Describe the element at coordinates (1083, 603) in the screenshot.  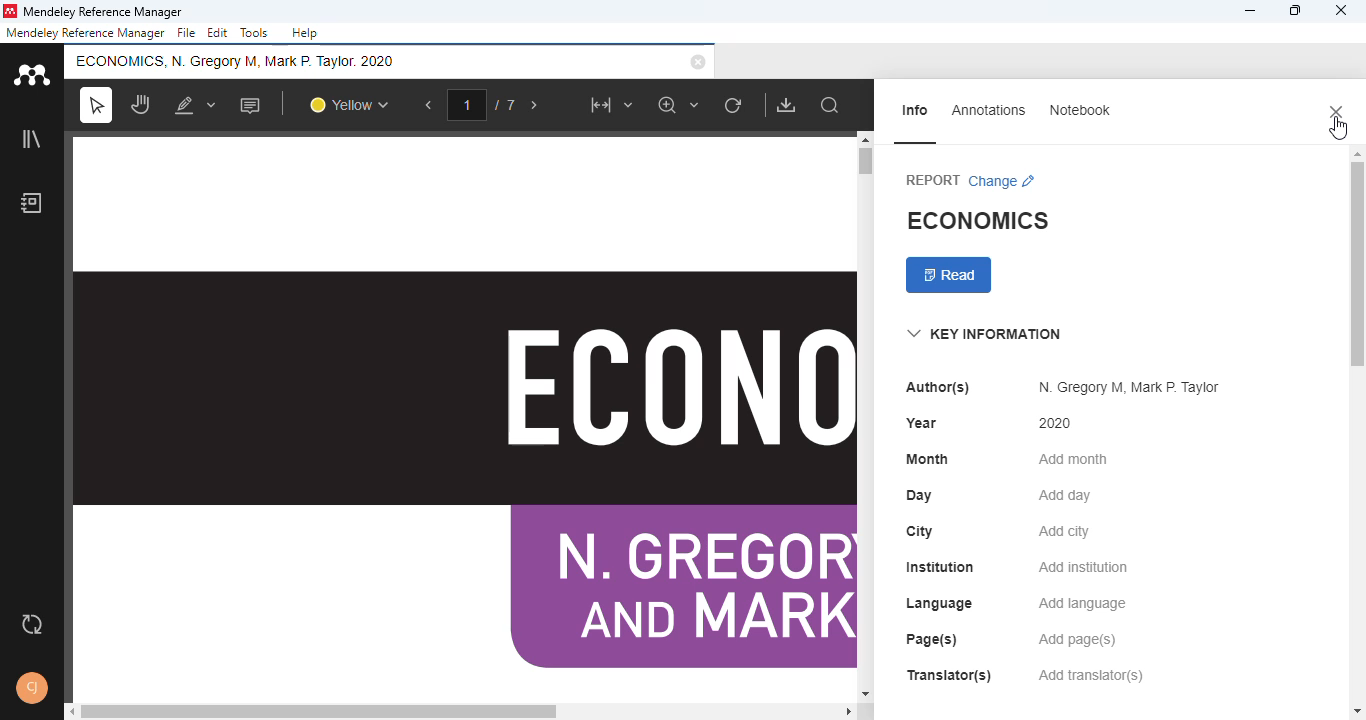
I see `add language` at that location.